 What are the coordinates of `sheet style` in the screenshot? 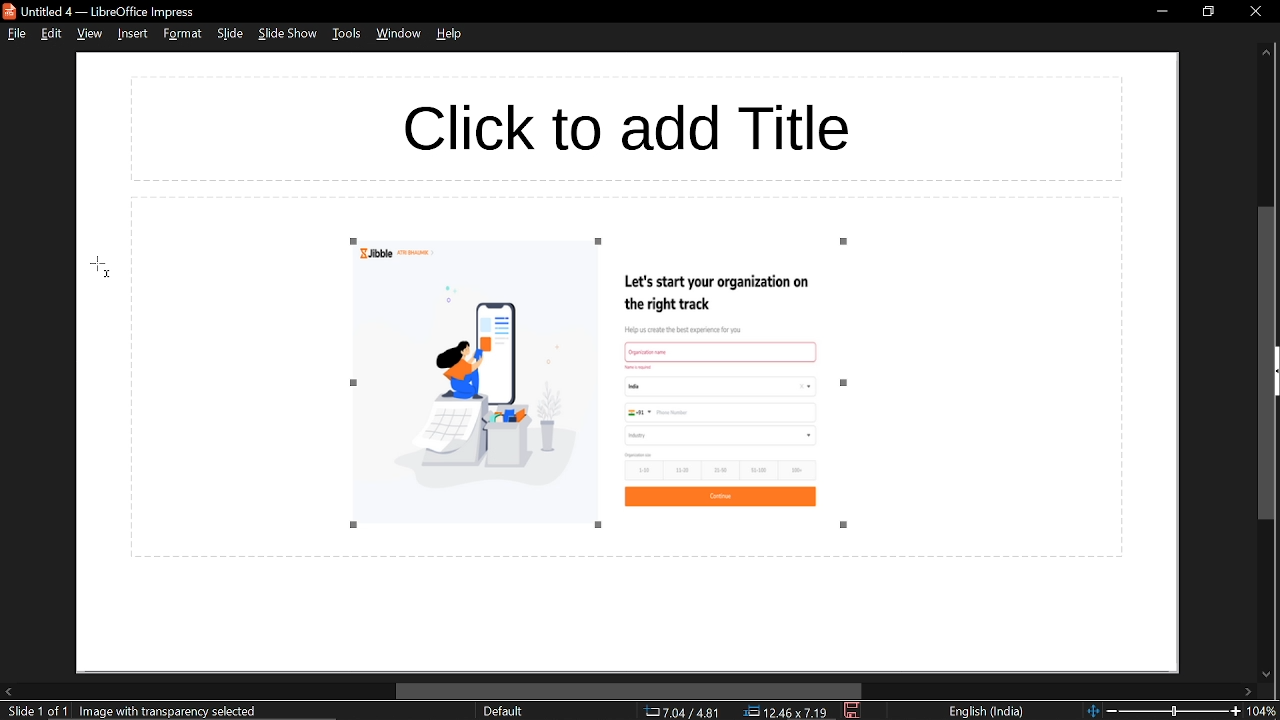 It's located at (502, 712).